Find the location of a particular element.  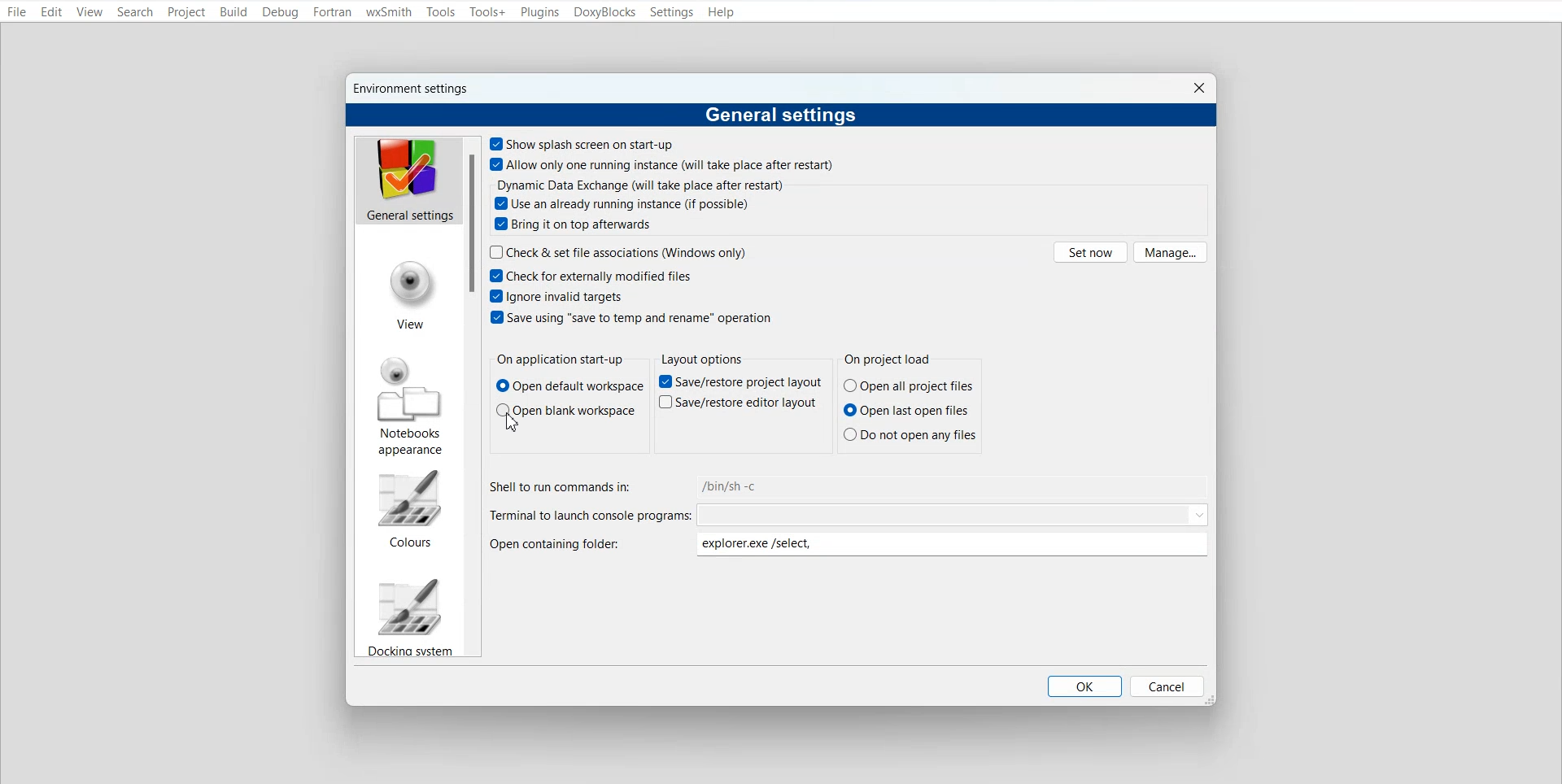

Search is located at coordinates (137, 12).